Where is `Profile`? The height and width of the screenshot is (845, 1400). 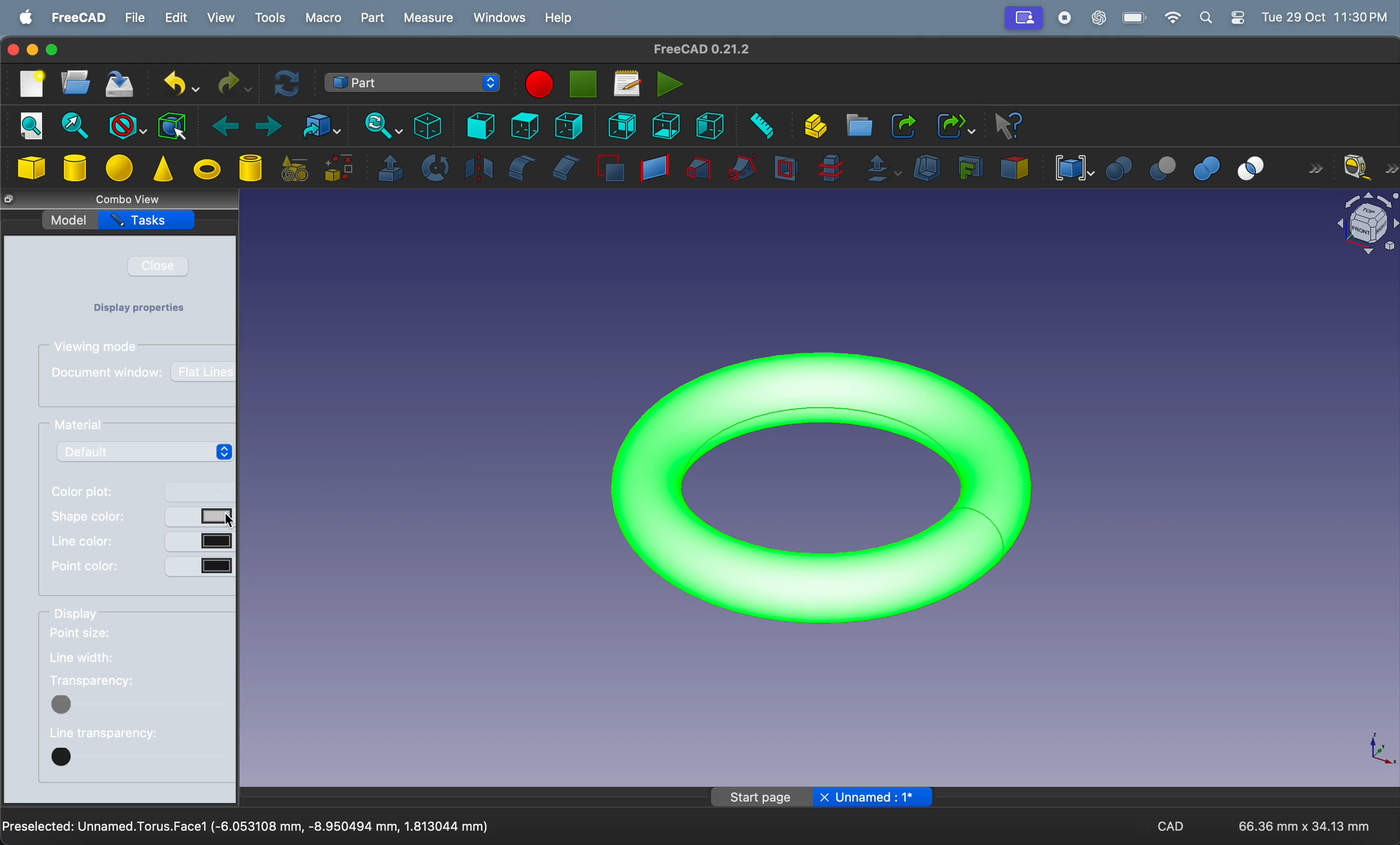
Profile is located at coordinates (1023, 17).